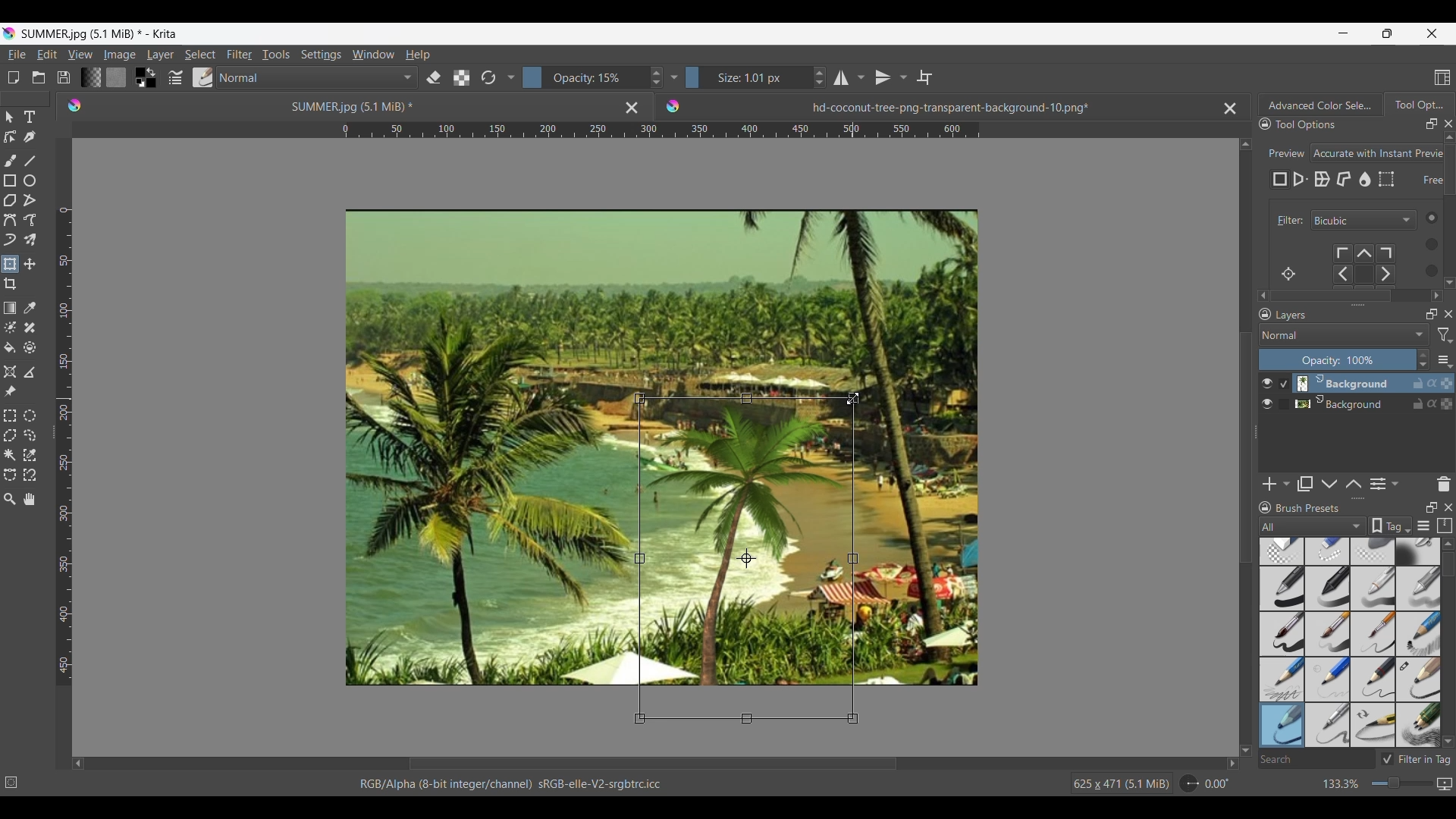  Describe the element at coordinates (160, 55) in the screenshot. I see `Layer` at that location.